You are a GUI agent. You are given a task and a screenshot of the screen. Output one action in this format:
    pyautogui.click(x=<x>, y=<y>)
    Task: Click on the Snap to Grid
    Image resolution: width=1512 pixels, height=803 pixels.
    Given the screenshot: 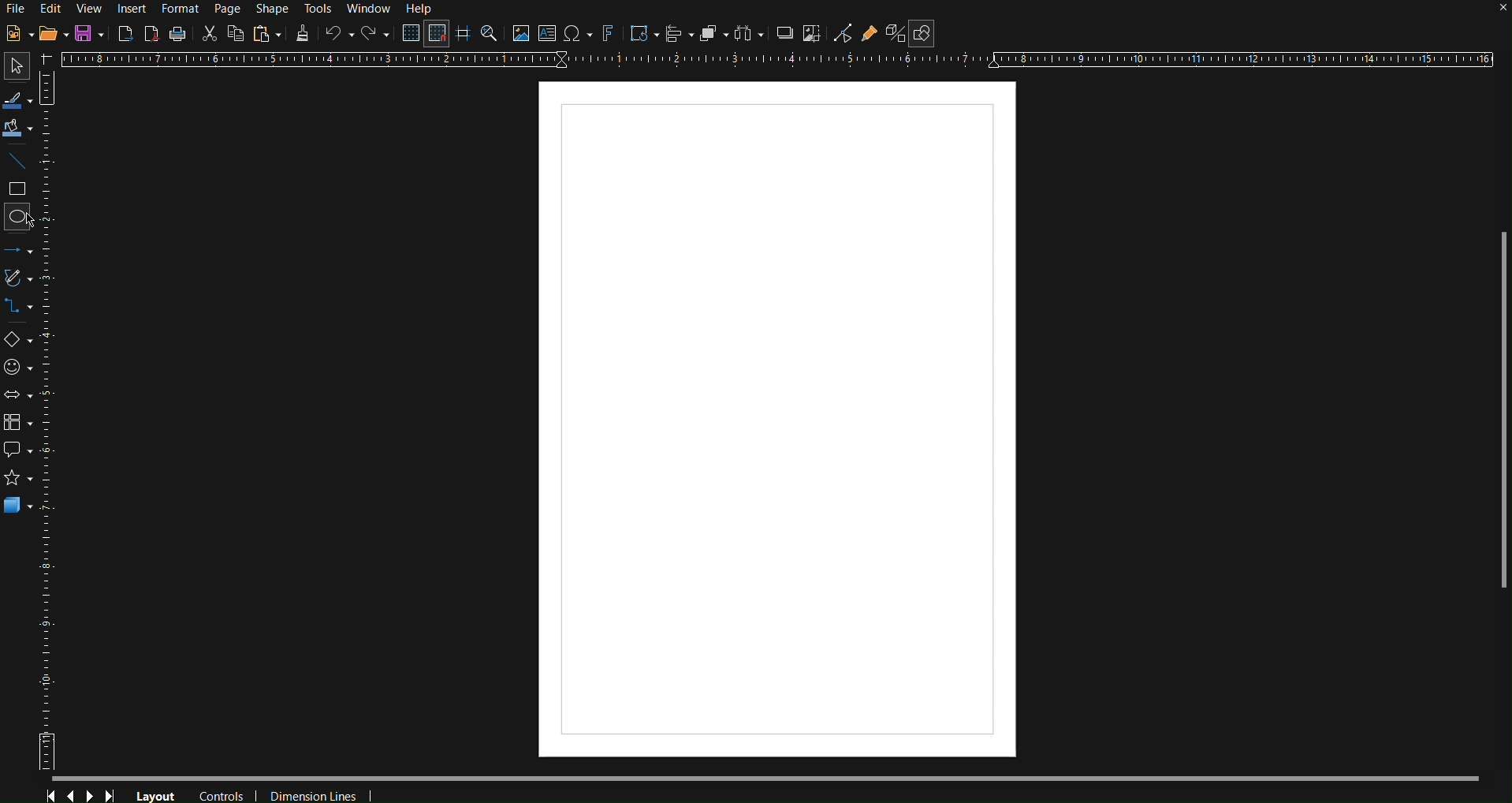 What is the action you would take?
    pyautogui.click(x=437, y=35)
    